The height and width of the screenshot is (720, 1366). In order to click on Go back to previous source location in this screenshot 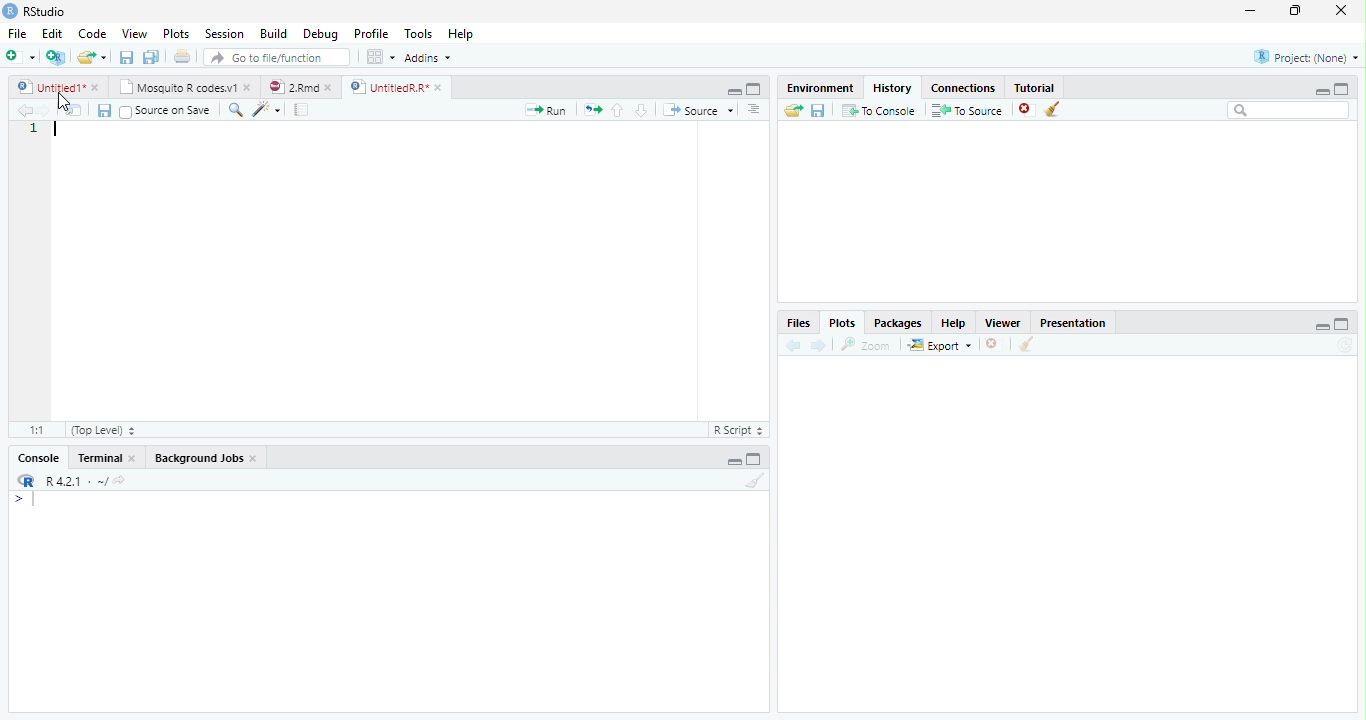, I will do `click(24, 110)`.